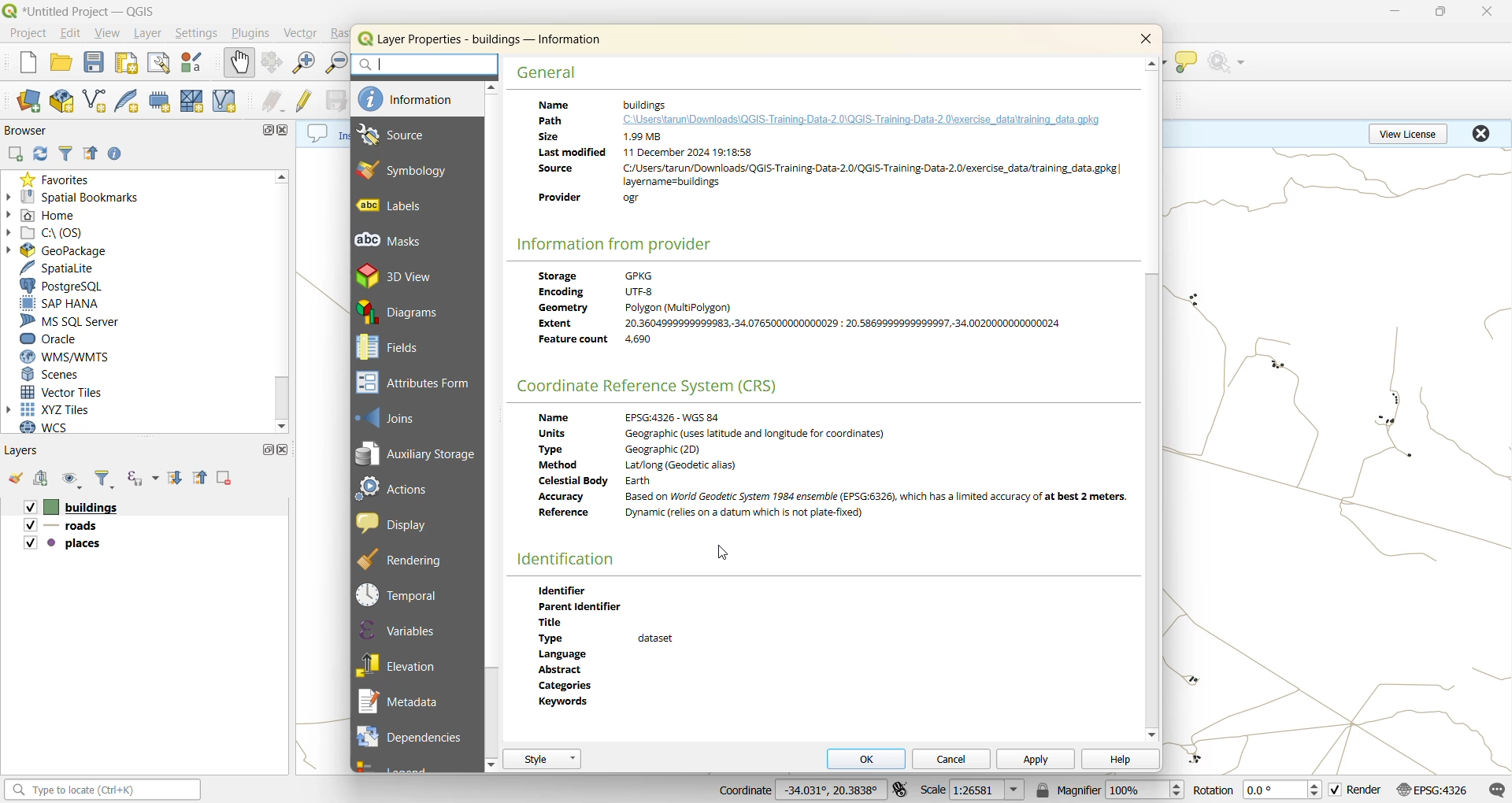  What do you see at coordinates (396, 136) in the screenshot?
I see `source` at bounding box center [396, 136].